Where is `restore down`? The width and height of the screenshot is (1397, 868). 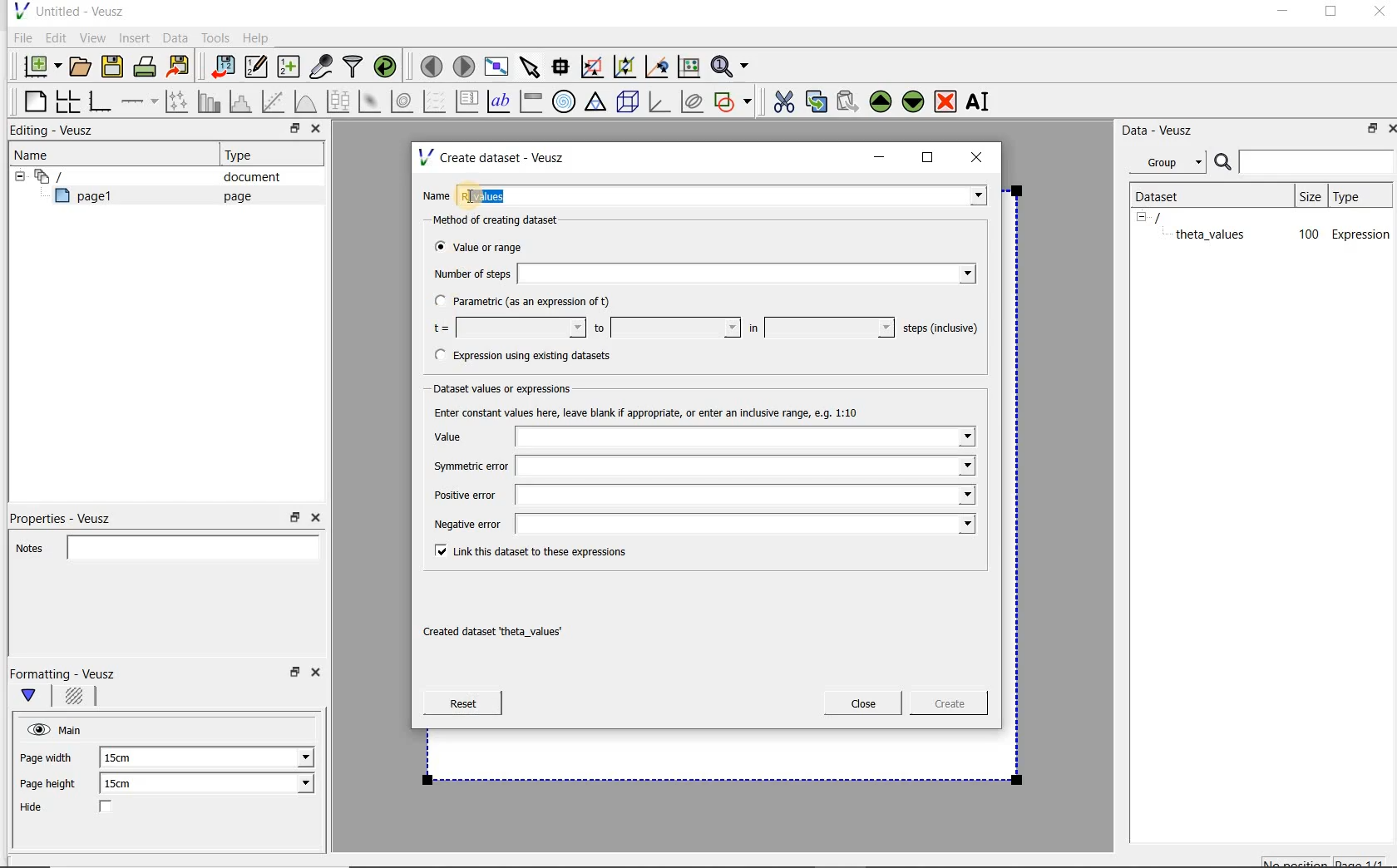
restore down is located at coordinates (1368, 131).